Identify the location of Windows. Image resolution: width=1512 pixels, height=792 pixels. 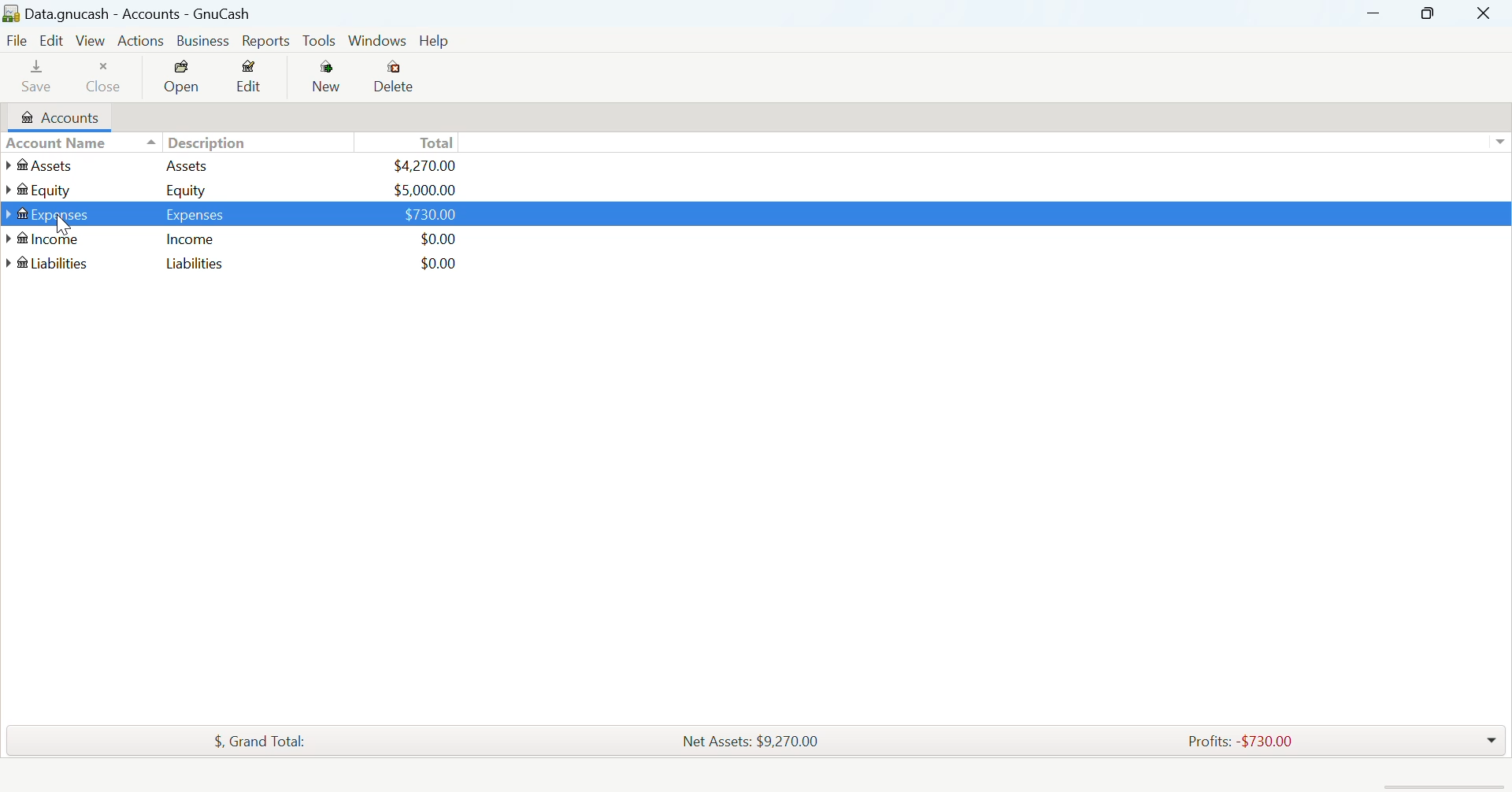
(375, 40).